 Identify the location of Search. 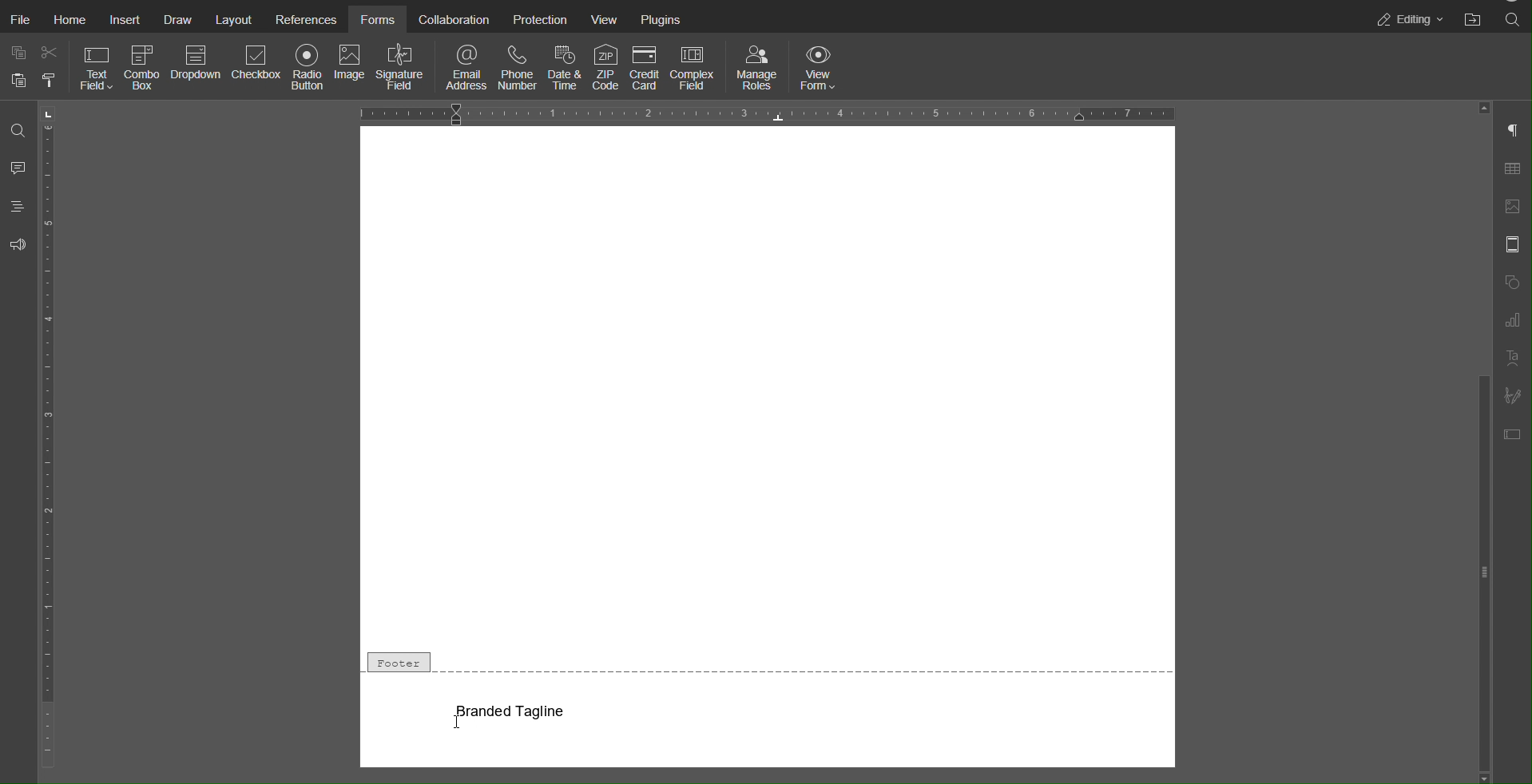
(1514, 20).